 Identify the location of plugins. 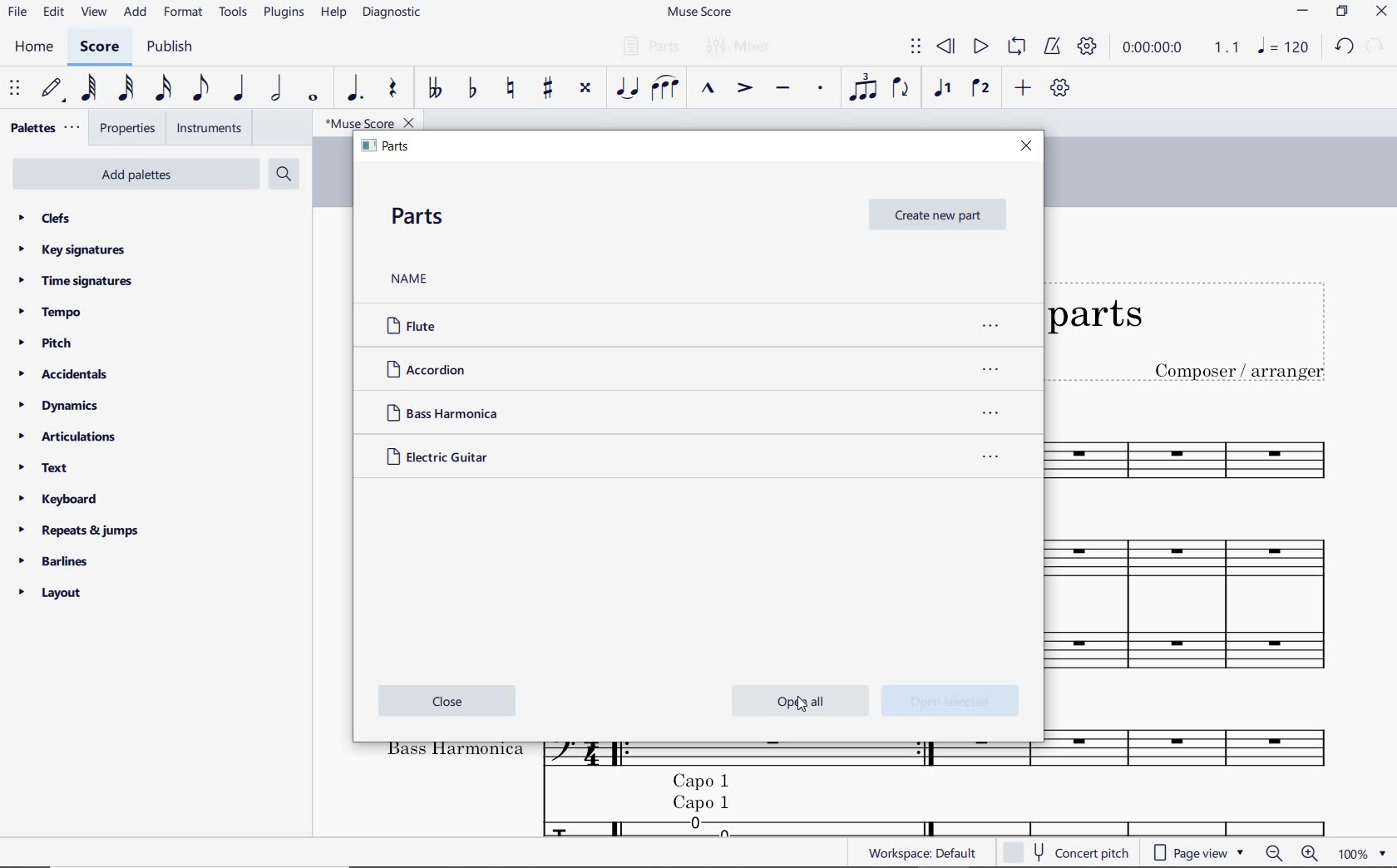
(282, 13).